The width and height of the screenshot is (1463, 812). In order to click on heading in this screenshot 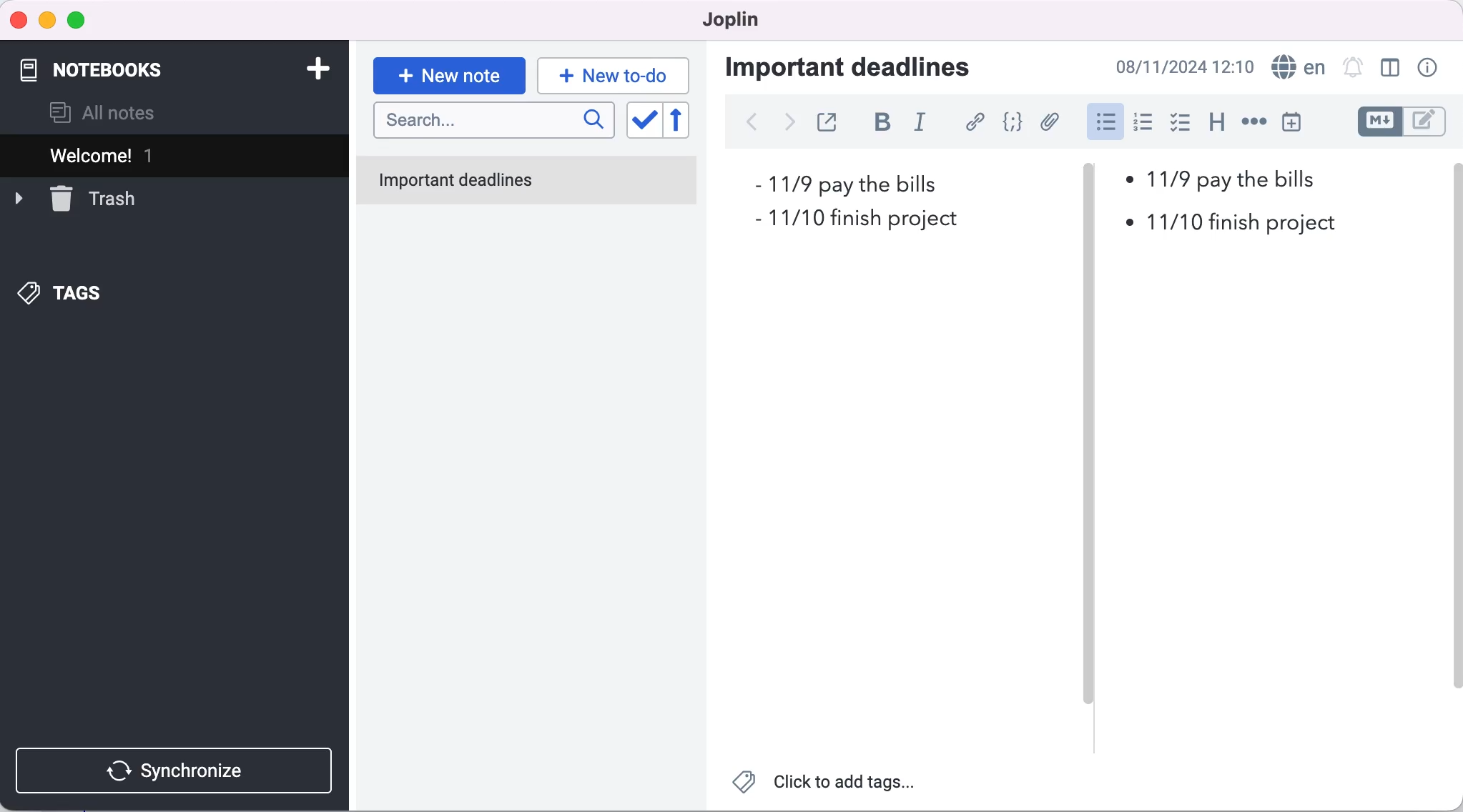, I will do `click(1216, 124)`.